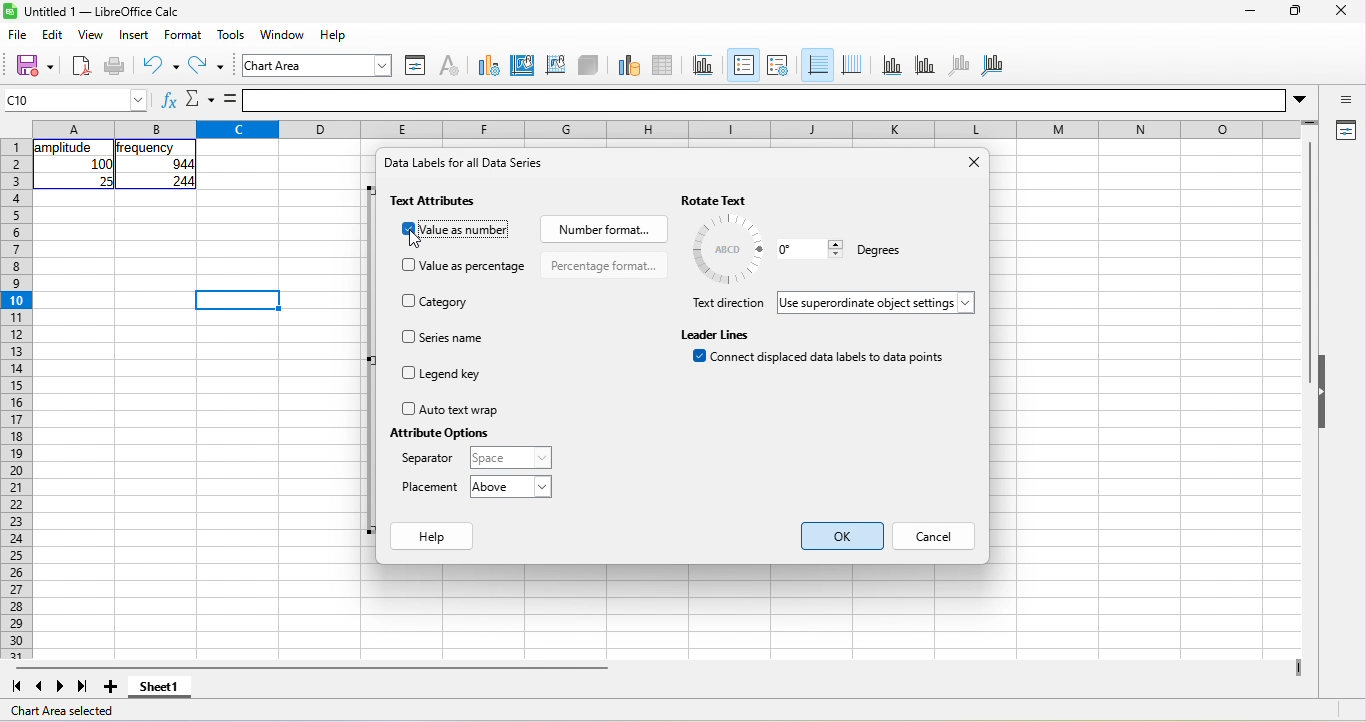  Describe the element at coordinates (879, 303) in the screenshot. I see `use superordinate object settings` at that location.